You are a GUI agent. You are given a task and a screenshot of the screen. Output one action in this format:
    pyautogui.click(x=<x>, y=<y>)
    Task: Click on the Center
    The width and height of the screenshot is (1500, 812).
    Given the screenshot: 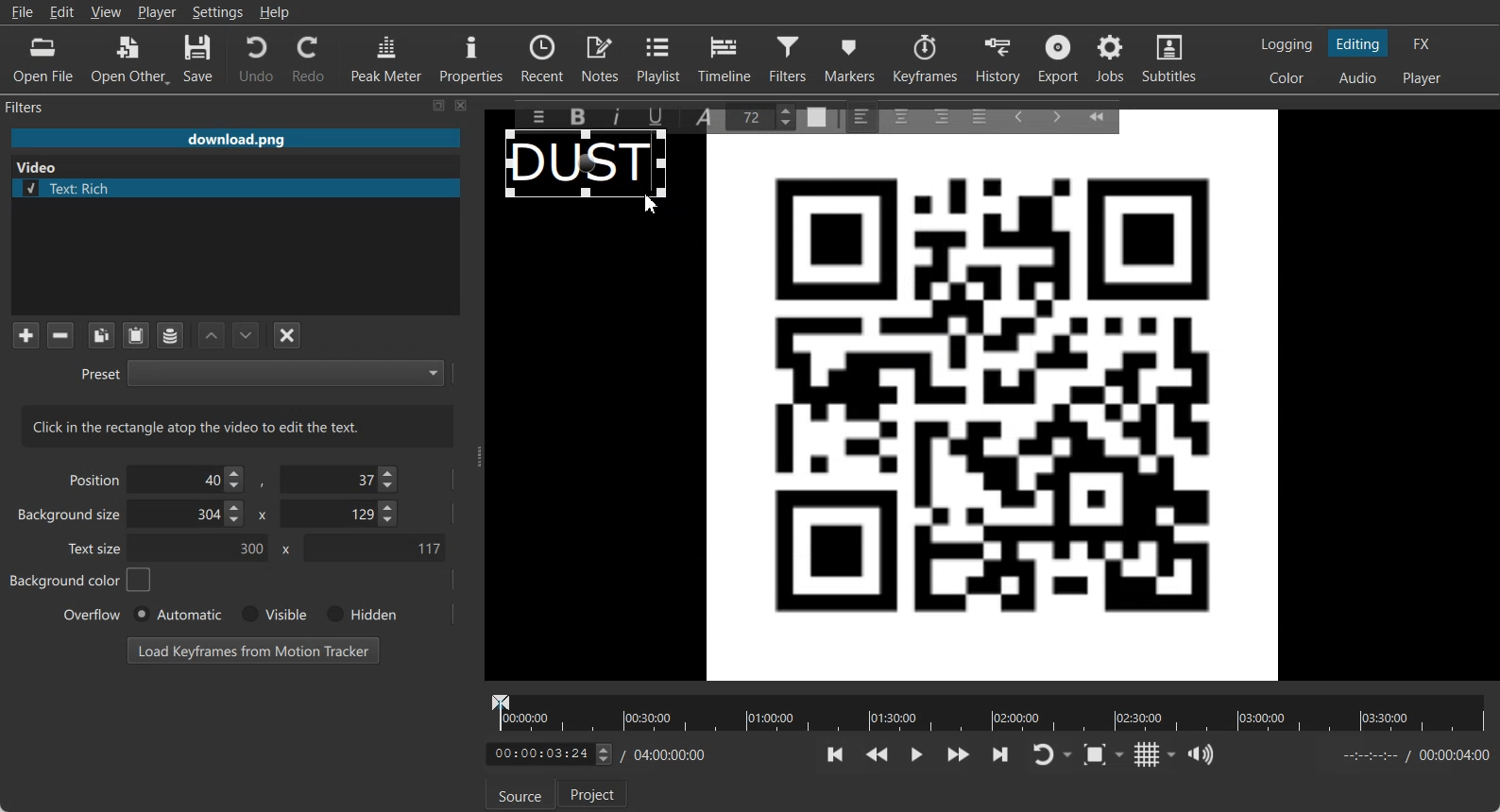 What is the action you would take?
    pyautogui.click(x=903, y=115)
    